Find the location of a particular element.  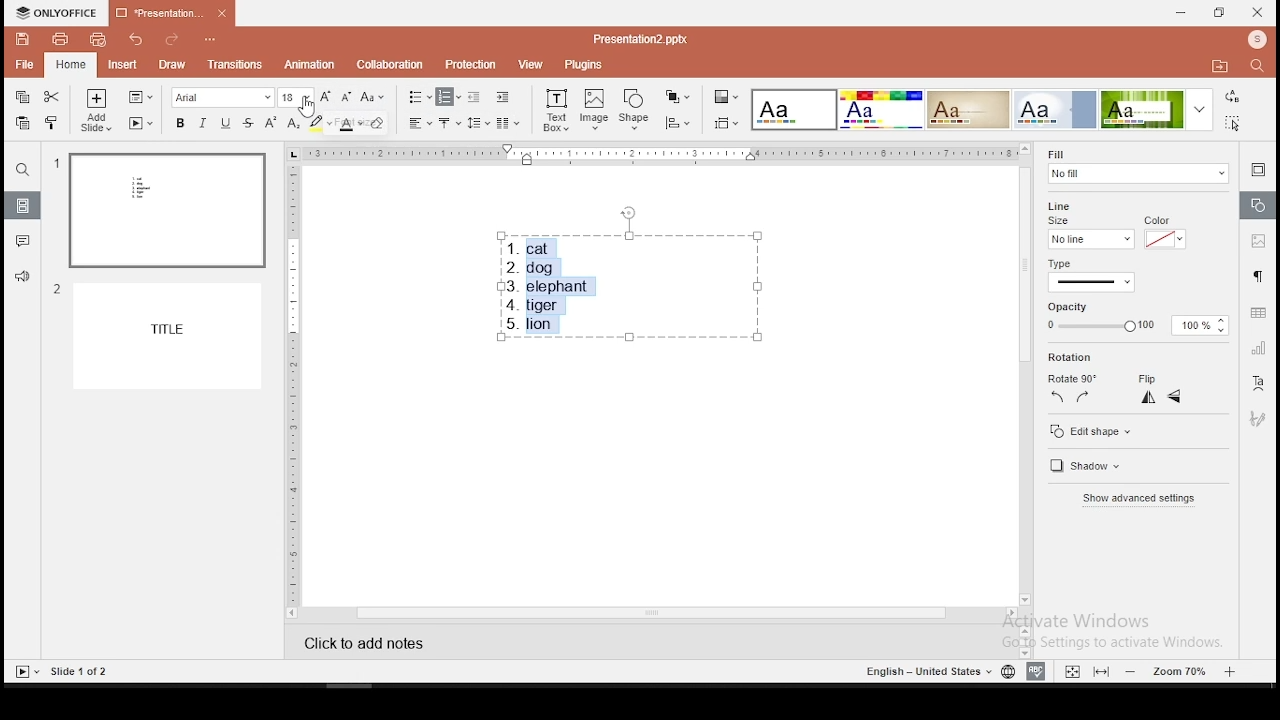

english - united states is located at coordinates (921, 671).